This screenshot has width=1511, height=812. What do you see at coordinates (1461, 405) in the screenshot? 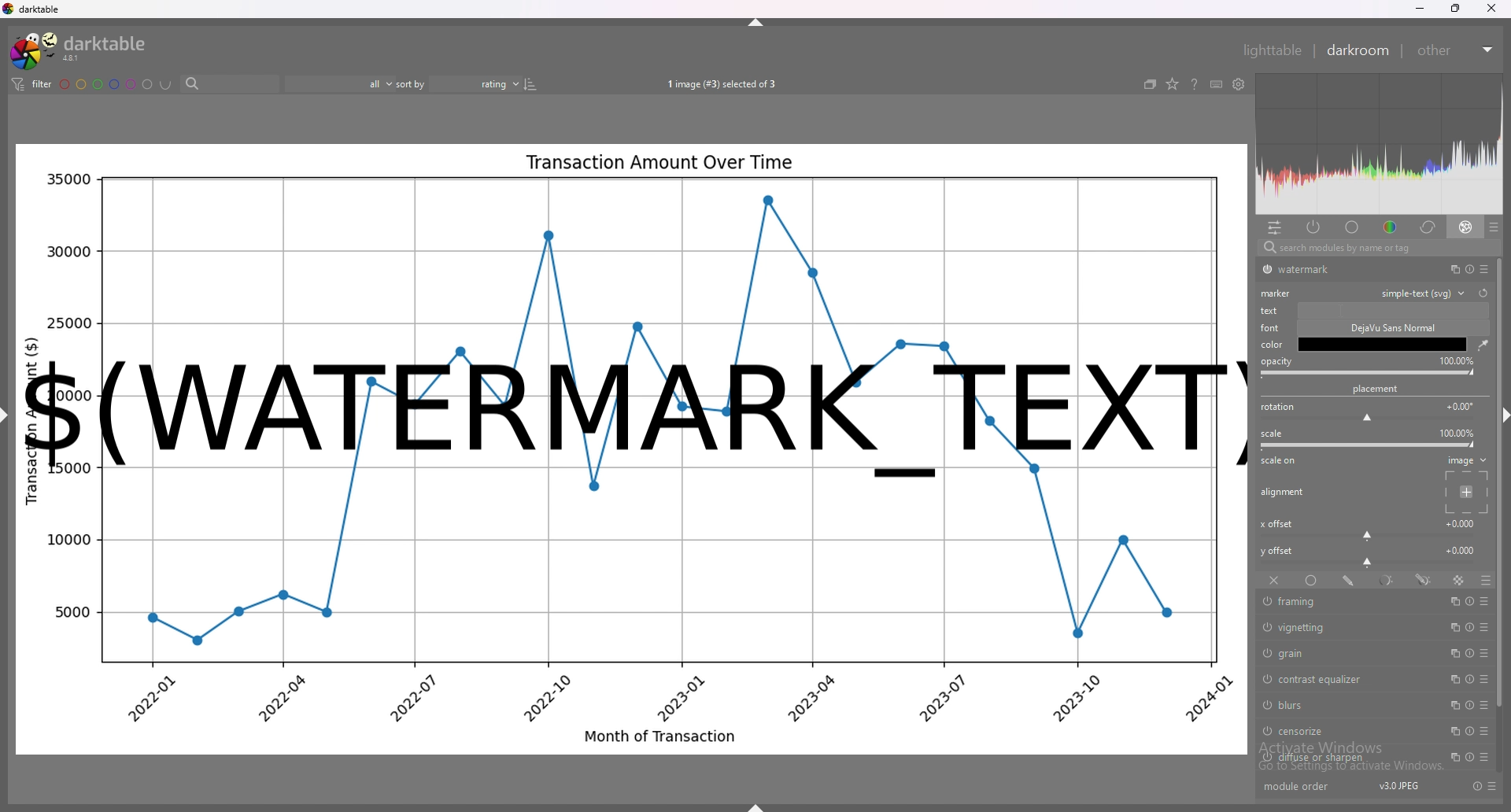
I see `rotation degrees` at bounding box center [1461, 405].